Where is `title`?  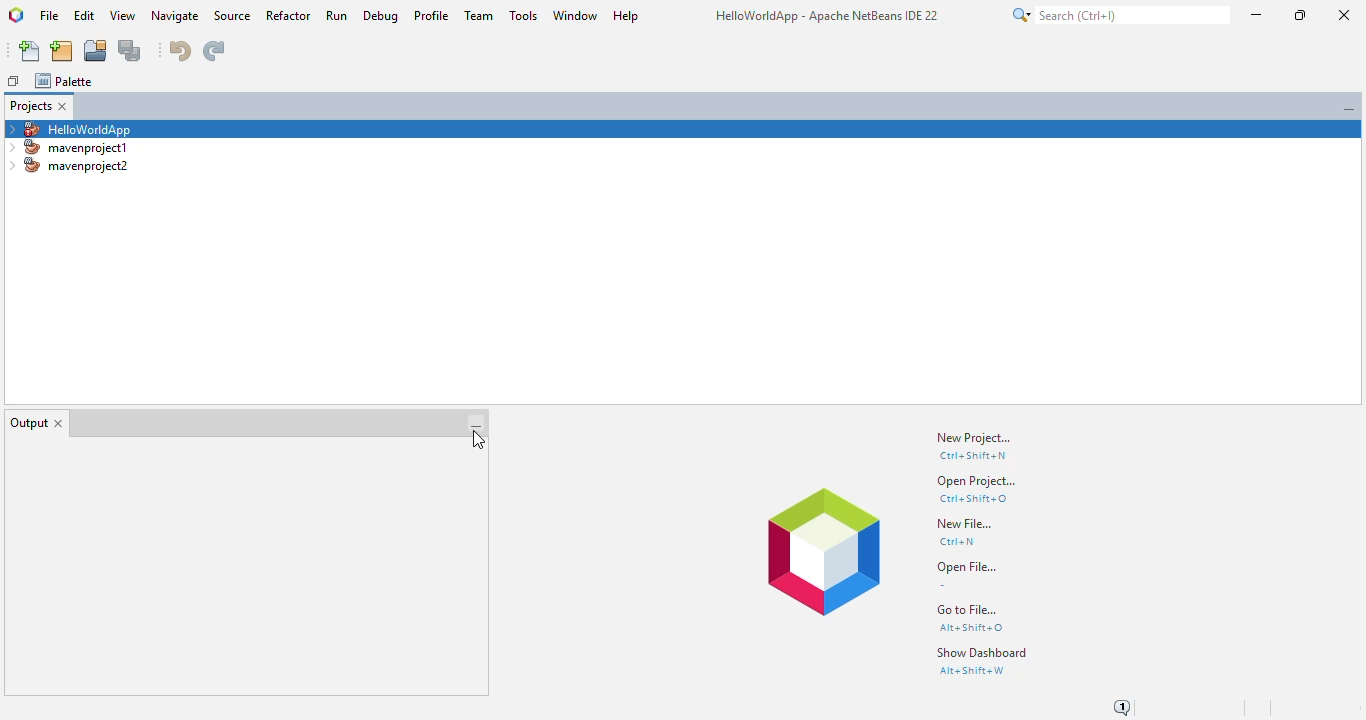 title is located at coordinates (827, 15).